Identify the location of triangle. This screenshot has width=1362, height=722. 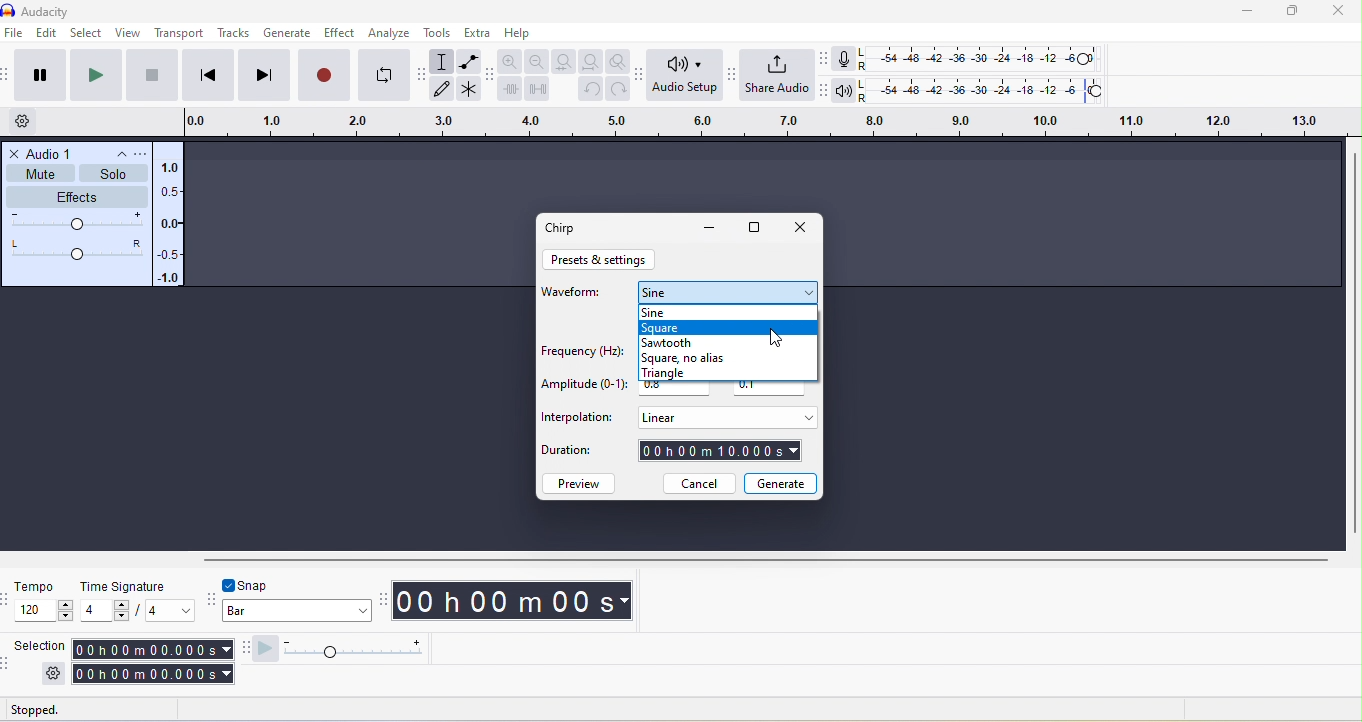
(683, 373).